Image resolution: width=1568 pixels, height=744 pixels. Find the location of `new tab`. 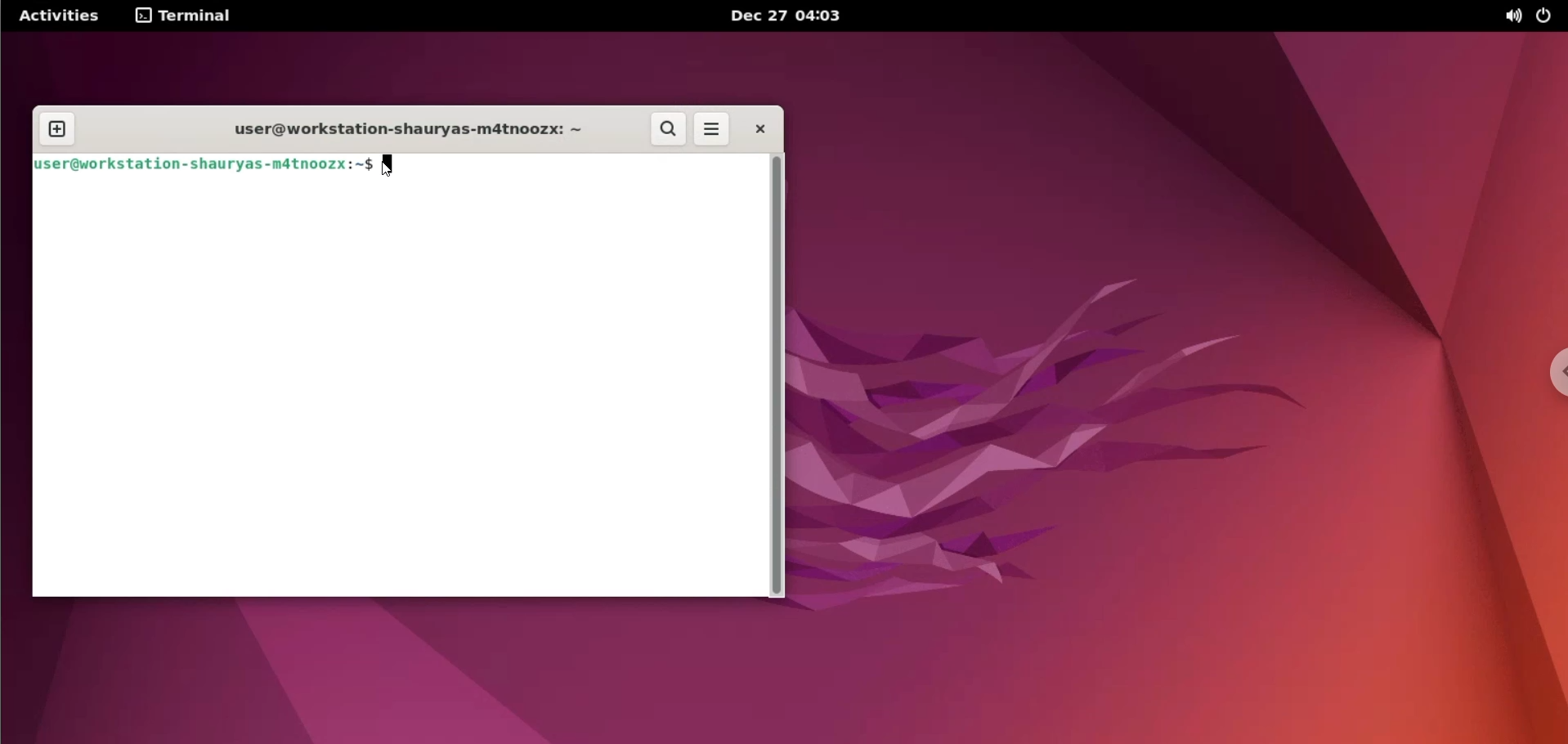

new tab is located at coordinates (57, 130).